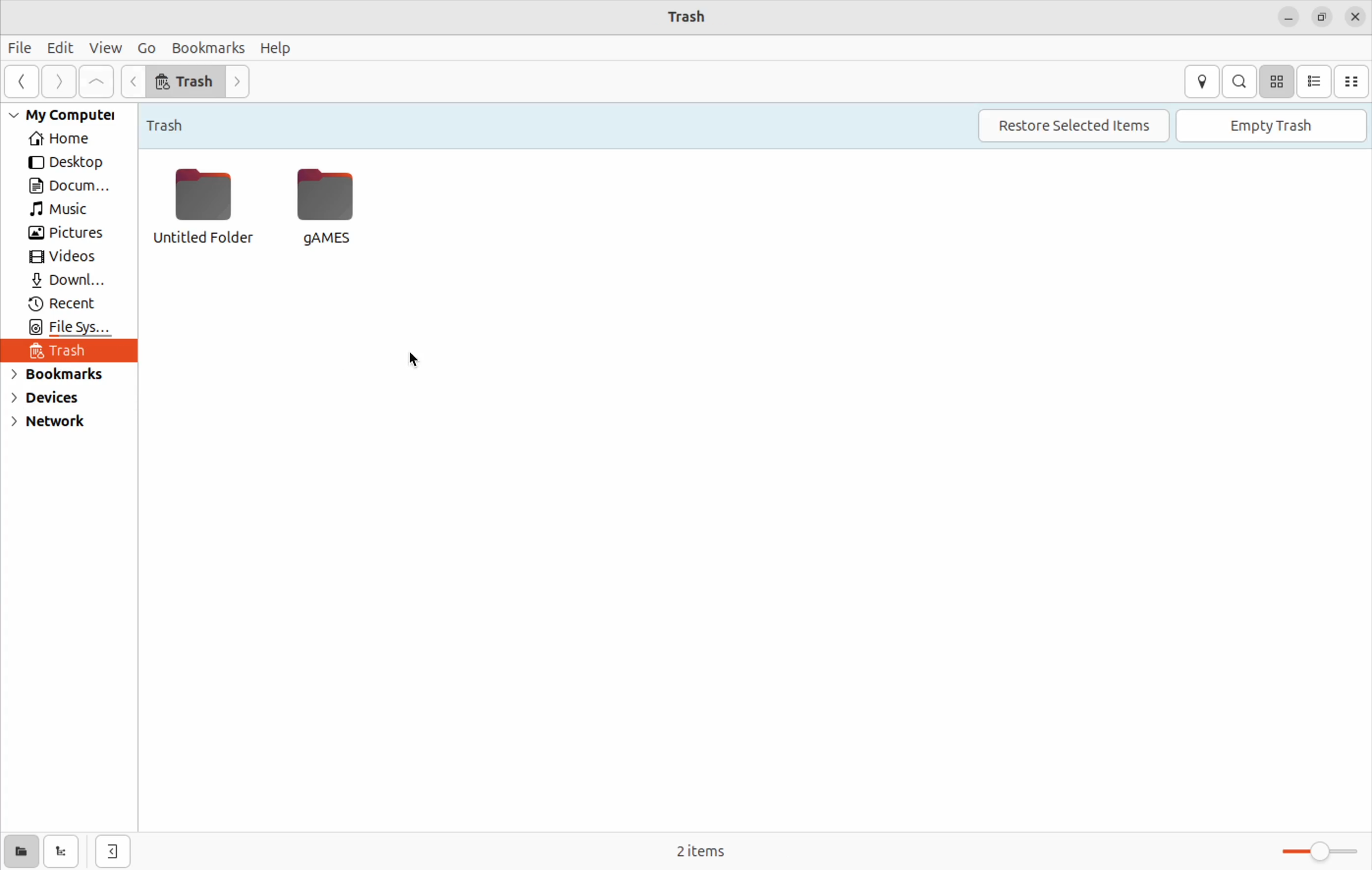 This screenshot has height=870, width=1372. I want to click on bookmarks, so click(62, 377).